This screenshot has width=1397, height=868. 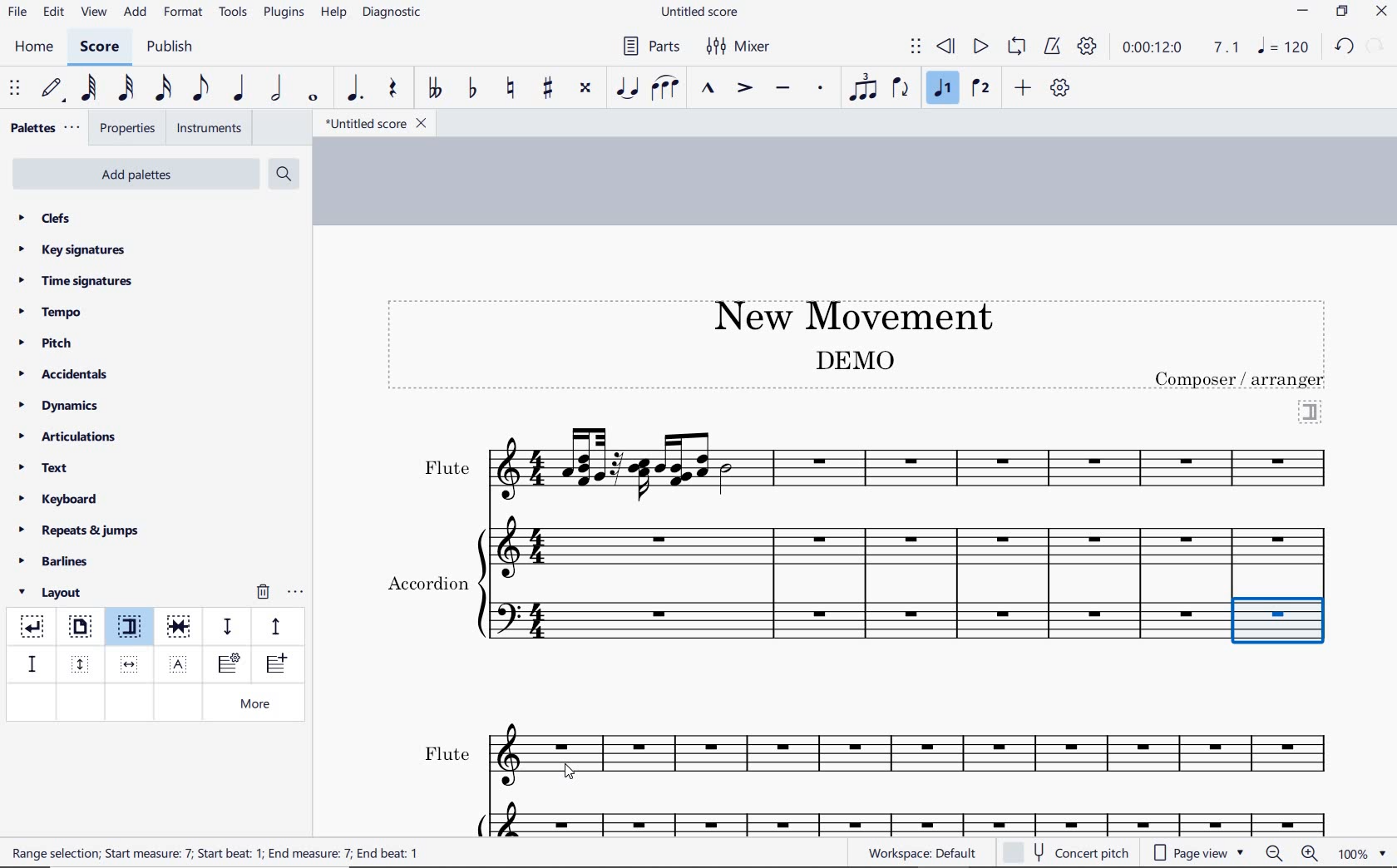 What do you see at coordinates (947, 47) in the screenshot?
I see `rewind` at bounding box center [947, 47].